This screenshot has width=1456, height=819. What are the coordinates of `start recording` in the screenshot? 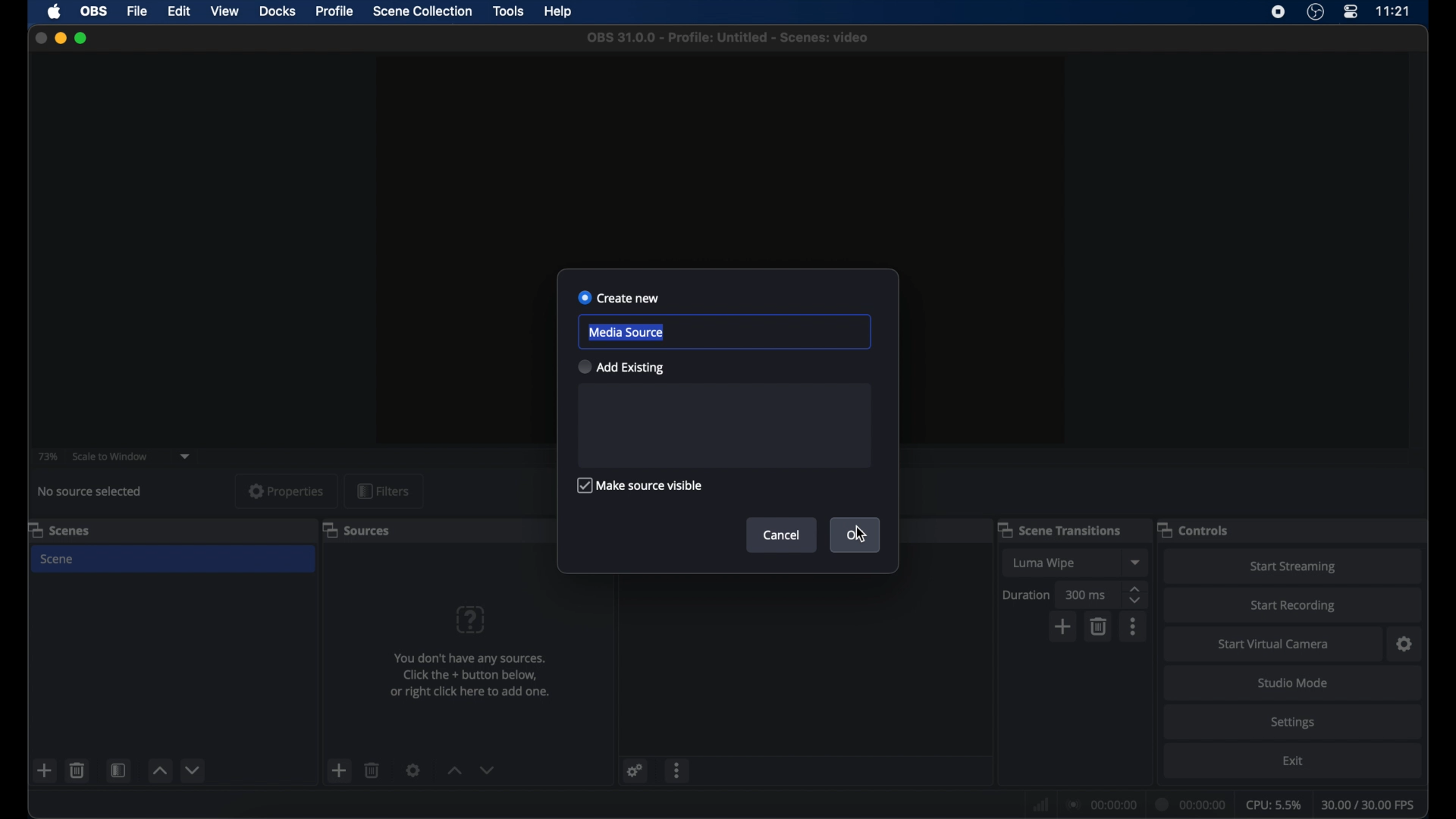 It's located at (1294, 606).